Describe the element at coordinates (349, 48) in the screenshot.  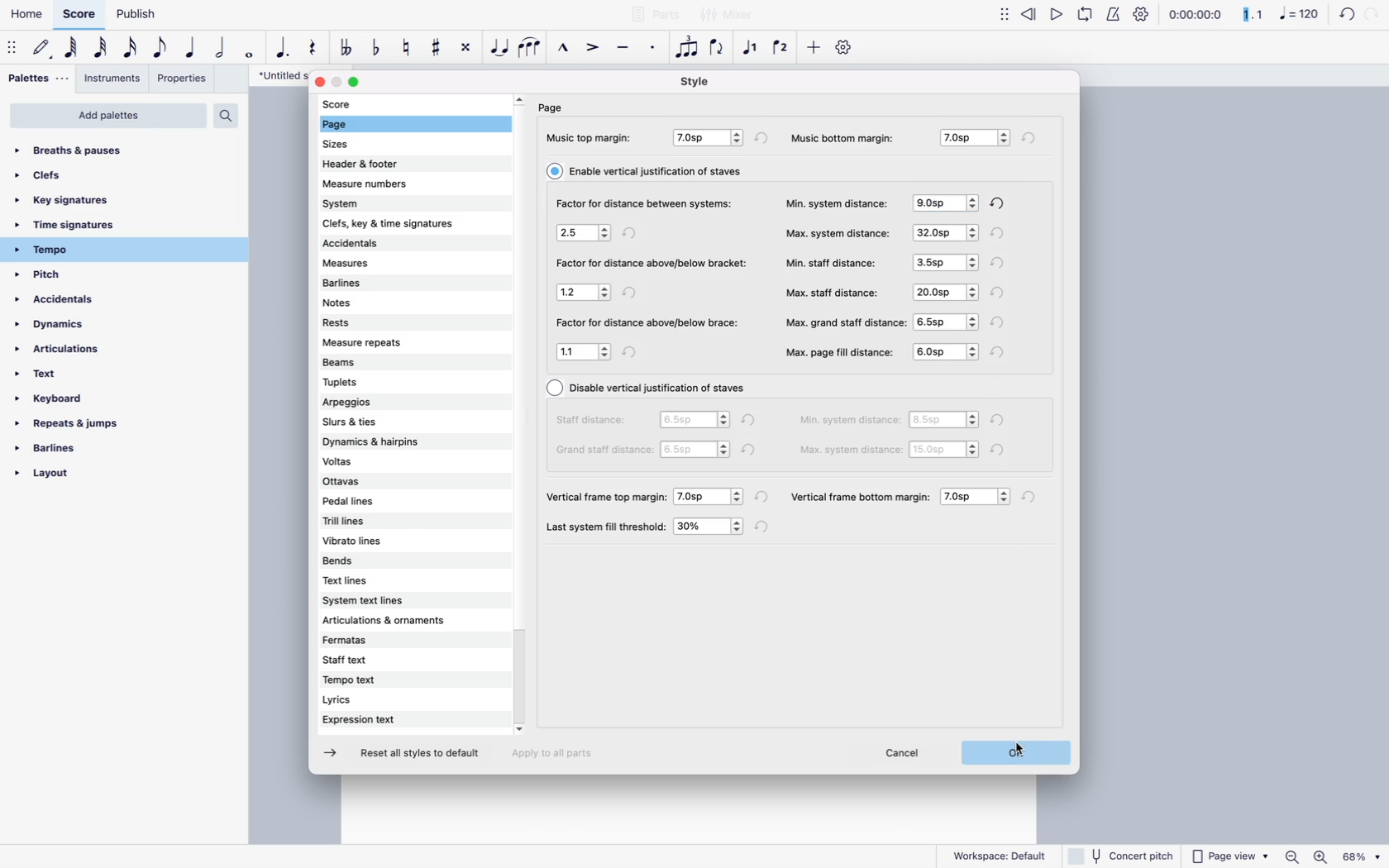
I see `double toggle flat` at that location.